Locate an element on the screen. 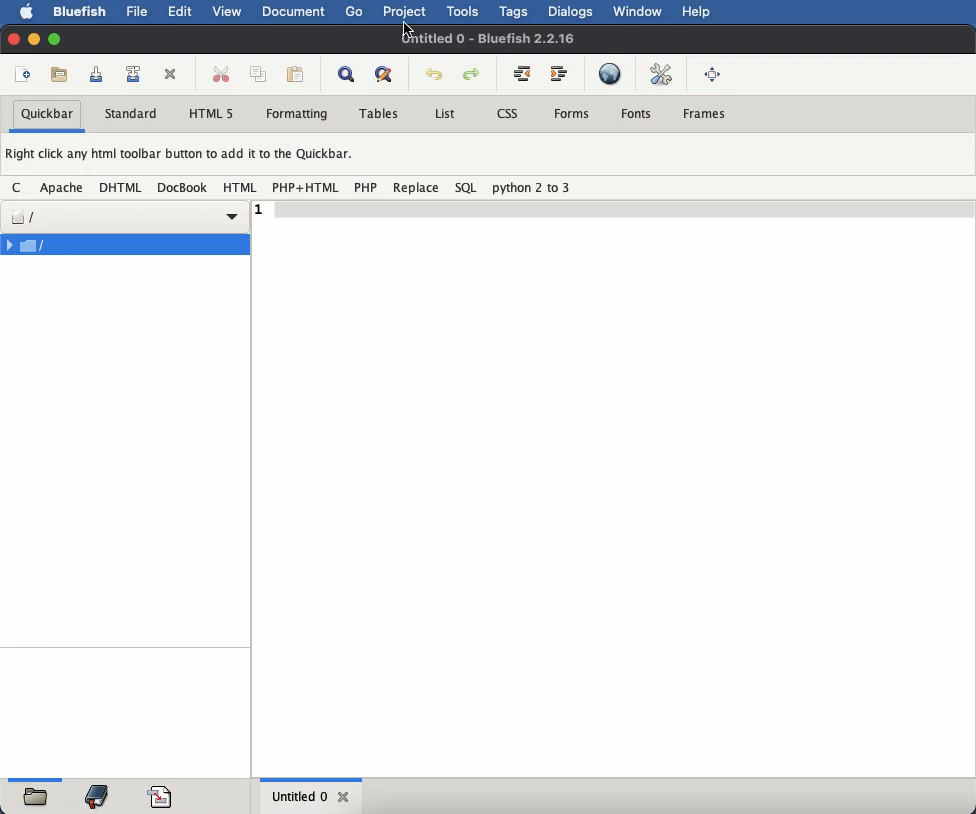 This screenshot has height=814, width=976. close is located at coordinates (14, 38).